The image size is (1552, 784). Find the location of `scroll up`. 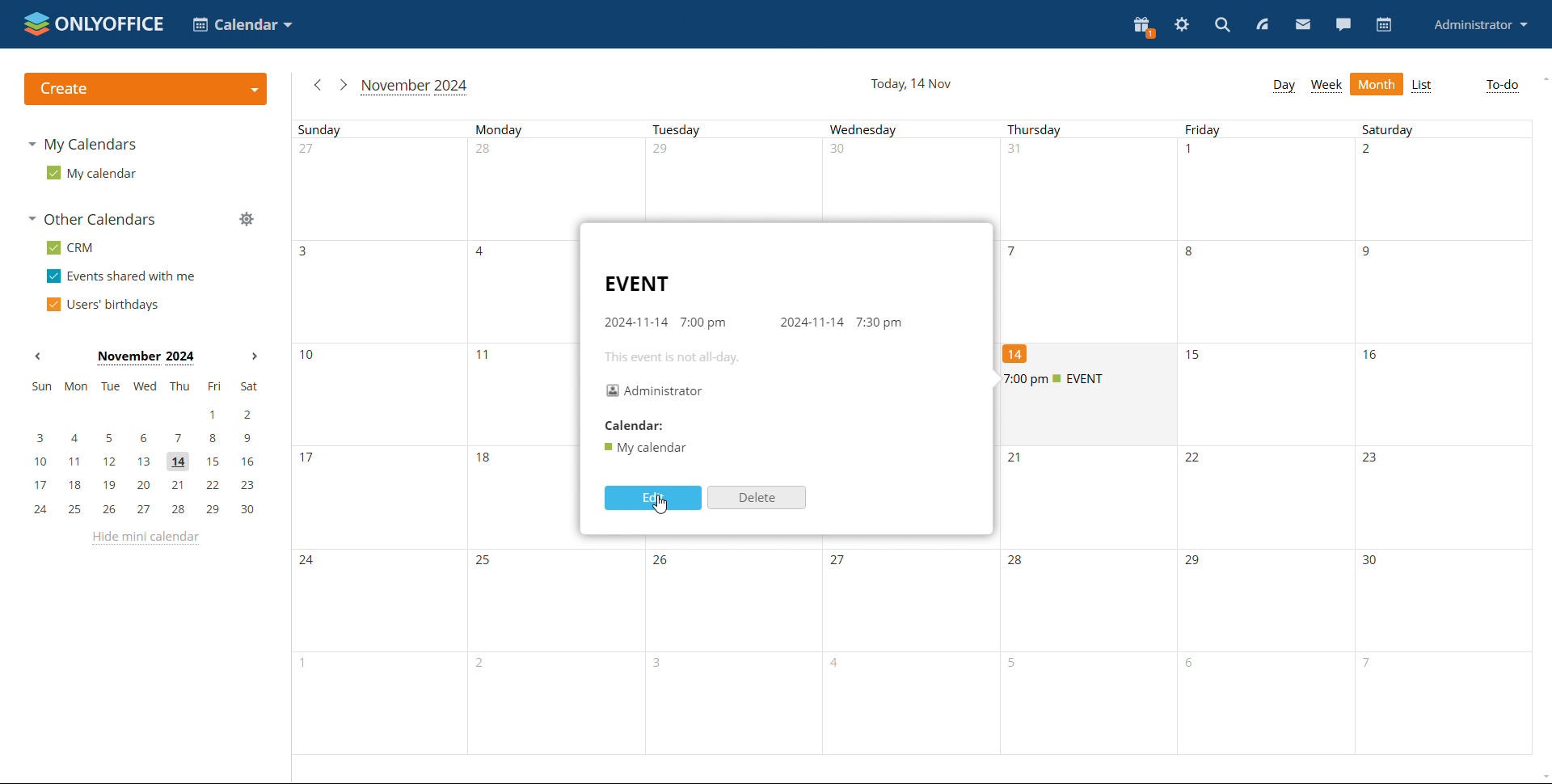

scroll up is located at coordinates (1542, 79).